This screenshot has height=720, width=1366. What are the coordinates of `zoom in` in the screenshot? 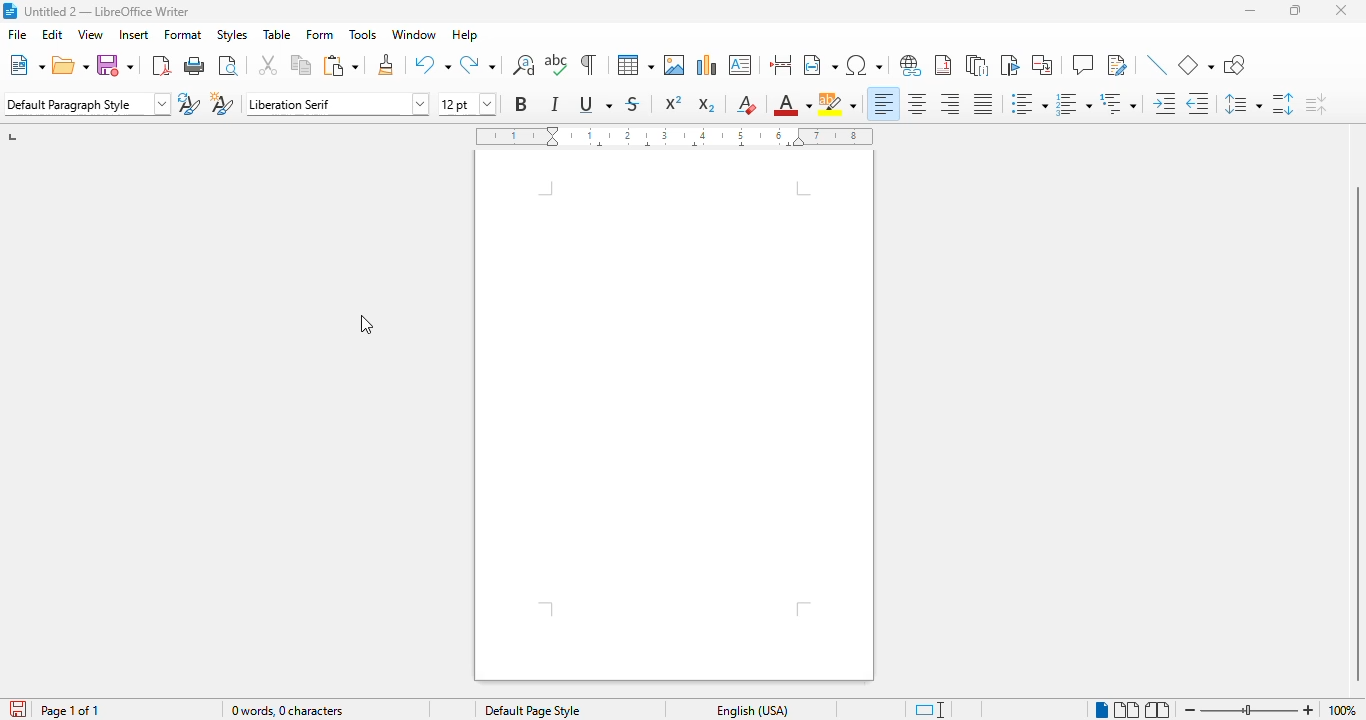 It's located at (1309, 710).